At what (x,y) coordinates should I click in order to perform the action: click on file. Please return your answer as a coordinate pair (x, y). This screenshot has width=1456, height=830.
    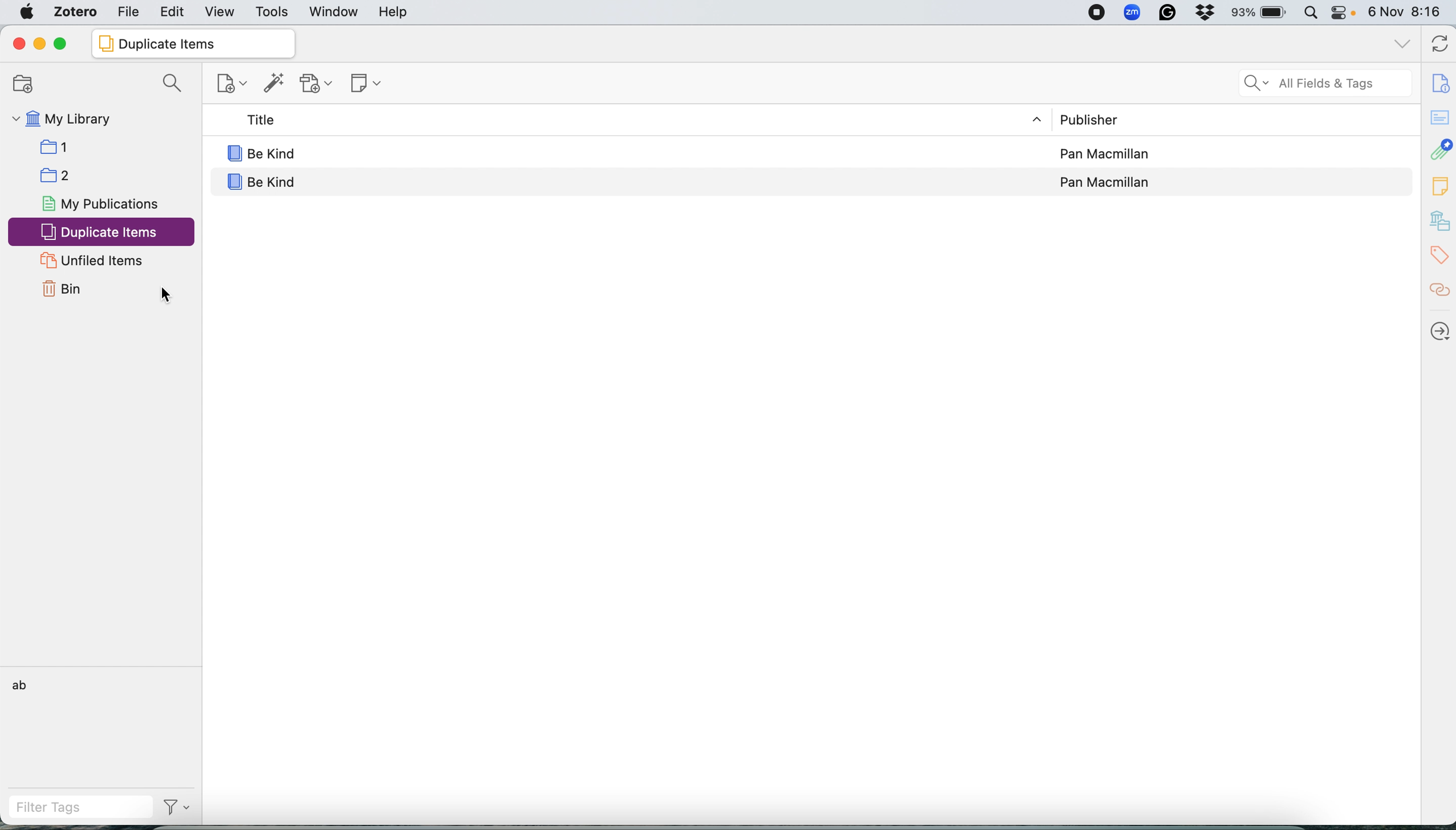
    Looking at the image, I should click on (131, 13).